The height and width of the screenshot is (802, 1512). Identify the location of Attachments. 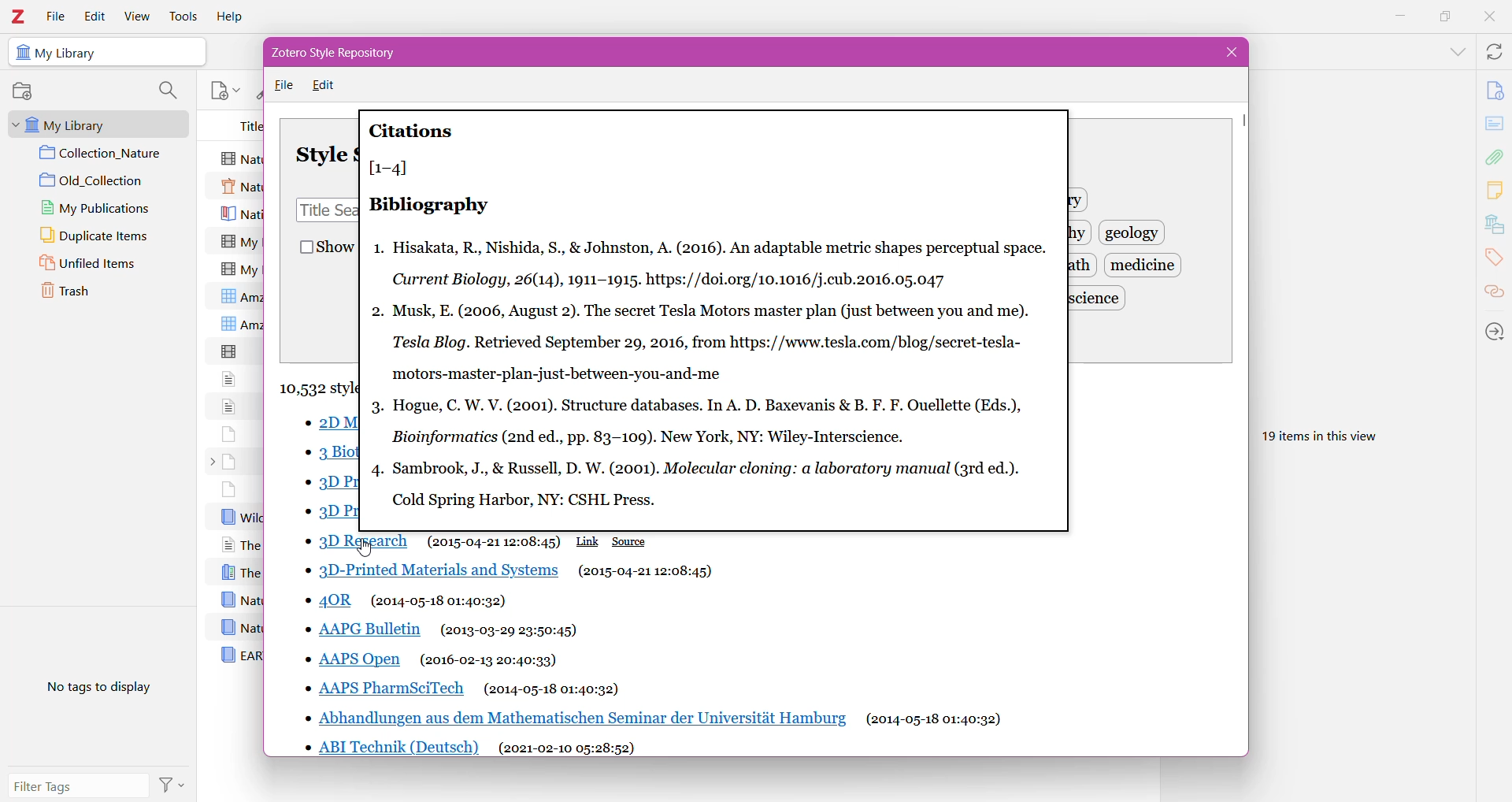
(1496, 156).